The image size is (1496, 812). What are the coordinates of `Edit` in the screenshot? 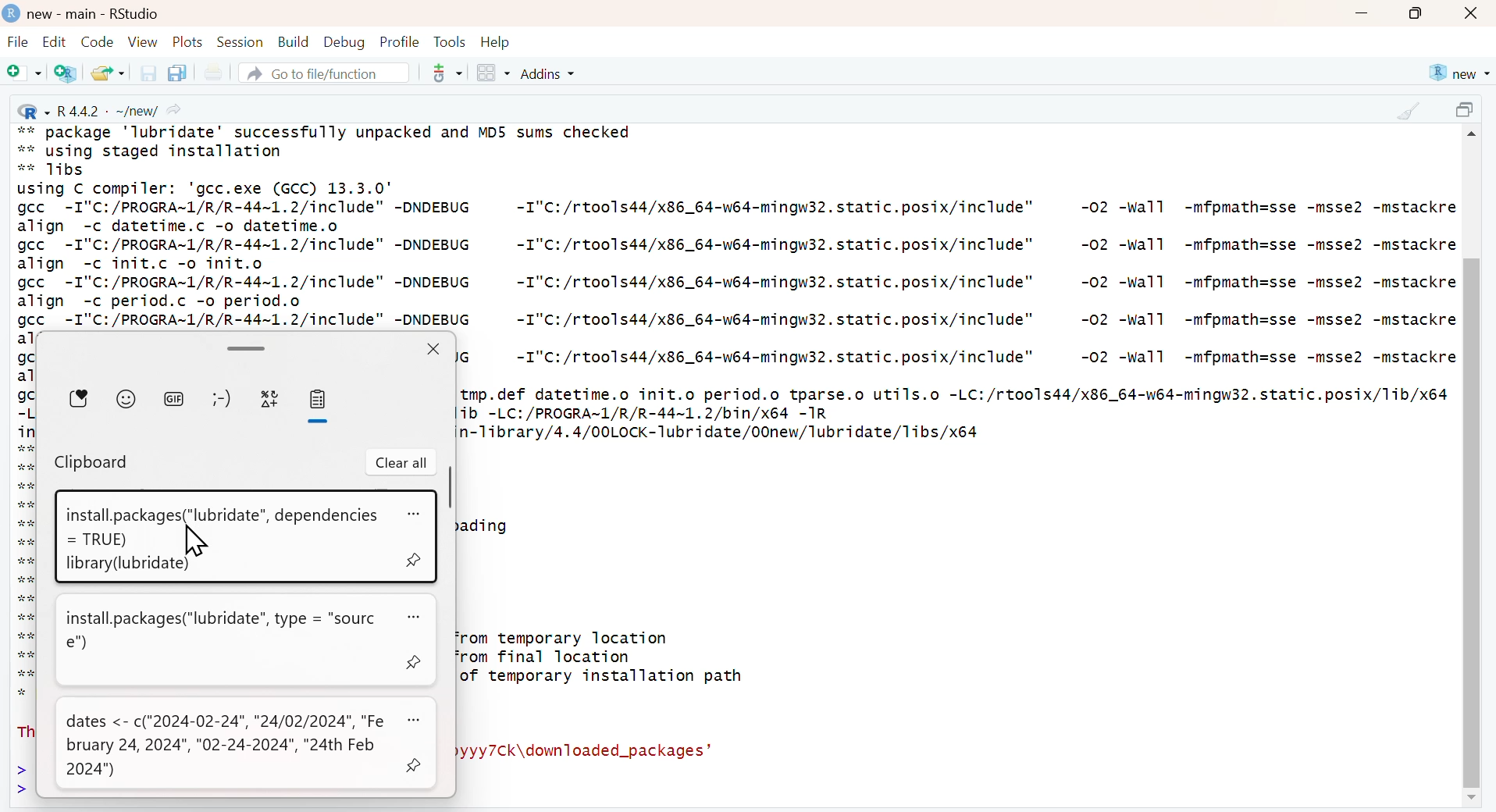 It's located at (54, 41).